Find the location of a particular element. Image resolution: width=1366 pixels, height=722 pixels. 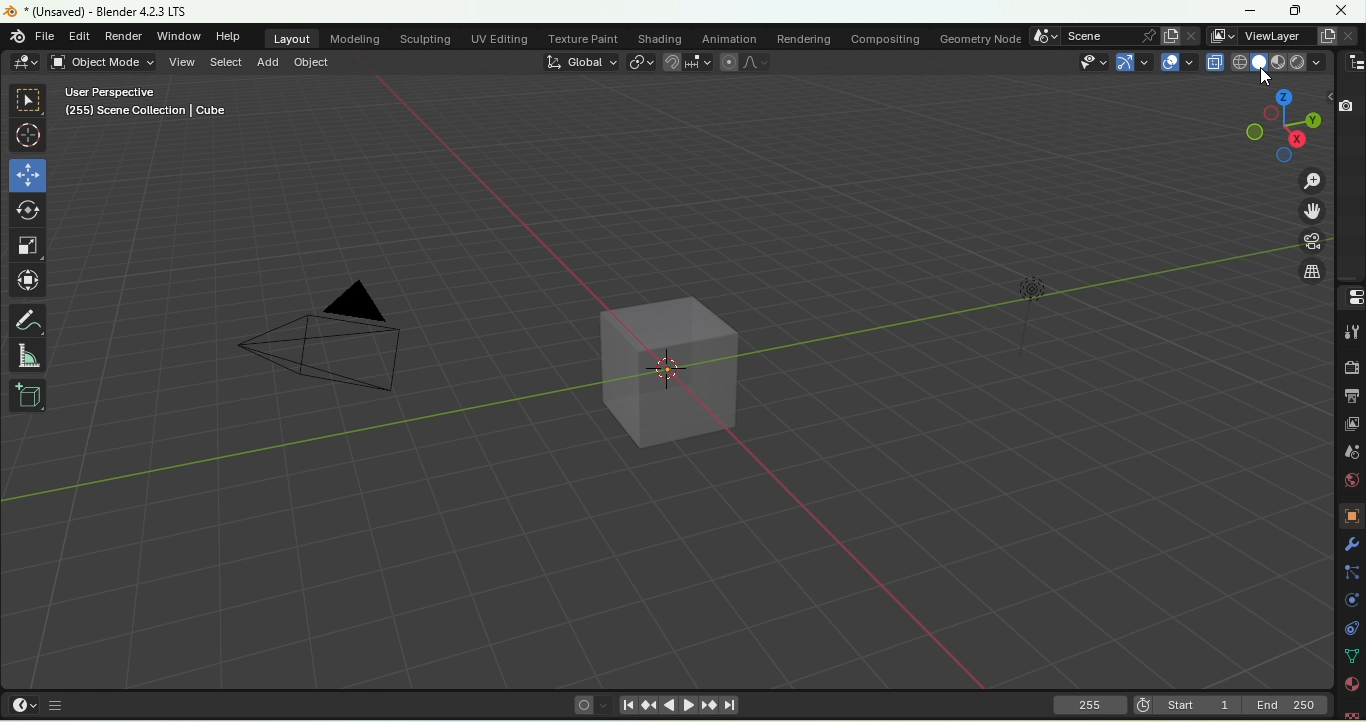

Move is located at coordinates (26, 176).